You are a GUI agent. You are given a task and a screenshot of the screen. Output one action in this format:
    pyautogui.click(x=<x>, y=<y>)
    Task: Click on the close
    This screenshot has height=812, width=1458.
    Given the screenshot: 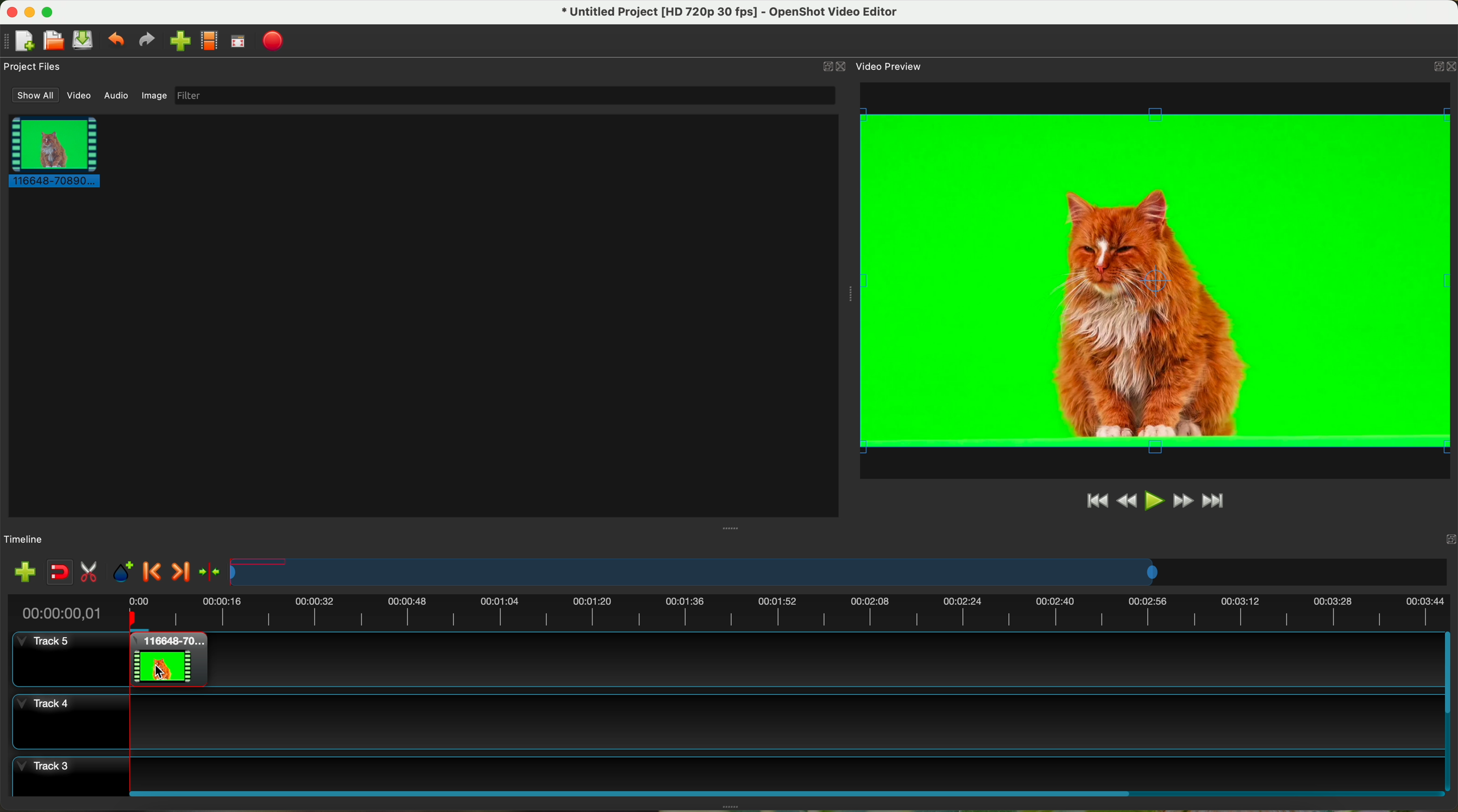 What is the action you would take?
    pyautogui.click(x=835, y=67)
    